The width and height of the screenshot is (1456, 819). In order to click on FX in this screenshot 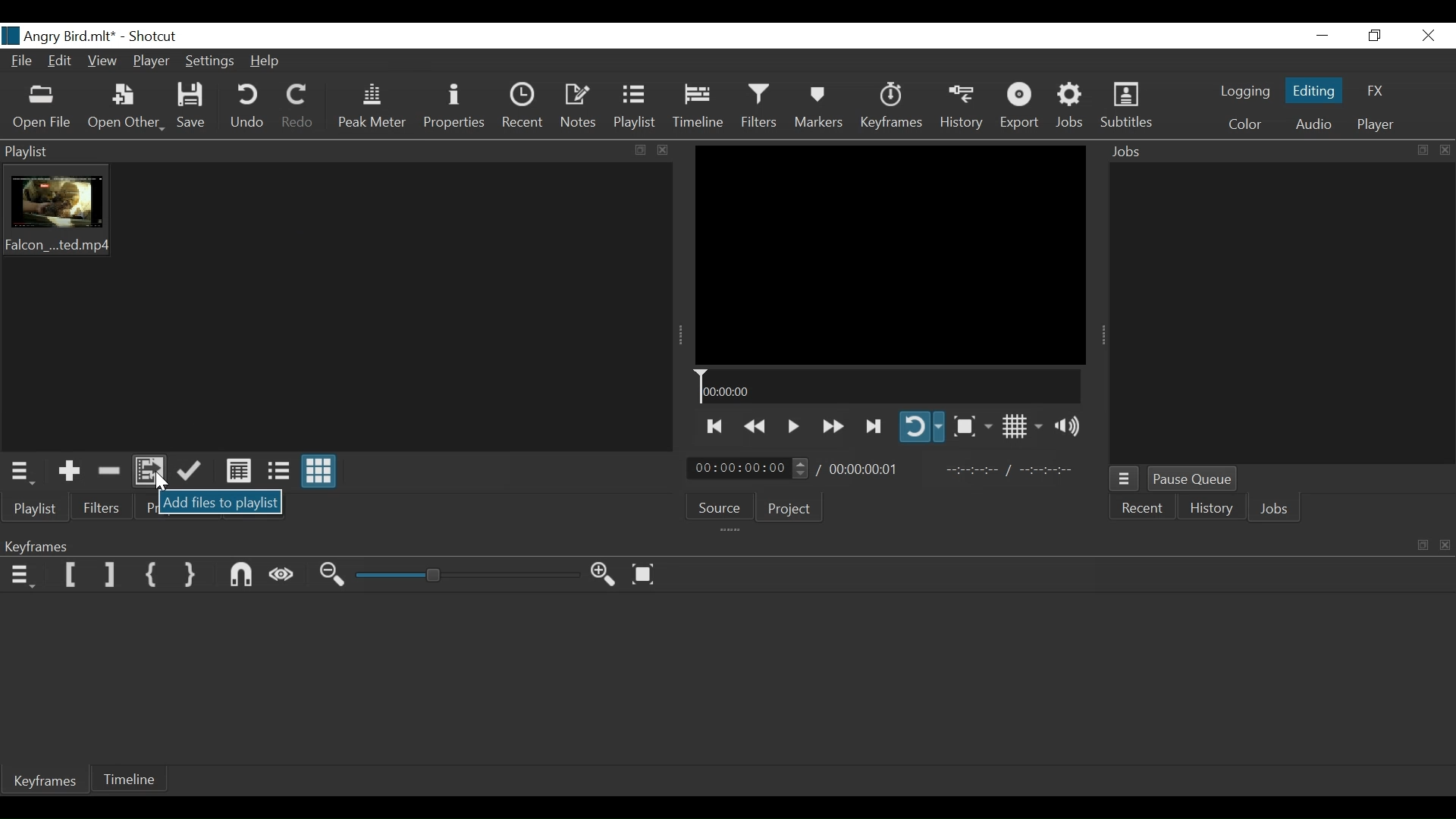, I will do `click(1375, 91)`.